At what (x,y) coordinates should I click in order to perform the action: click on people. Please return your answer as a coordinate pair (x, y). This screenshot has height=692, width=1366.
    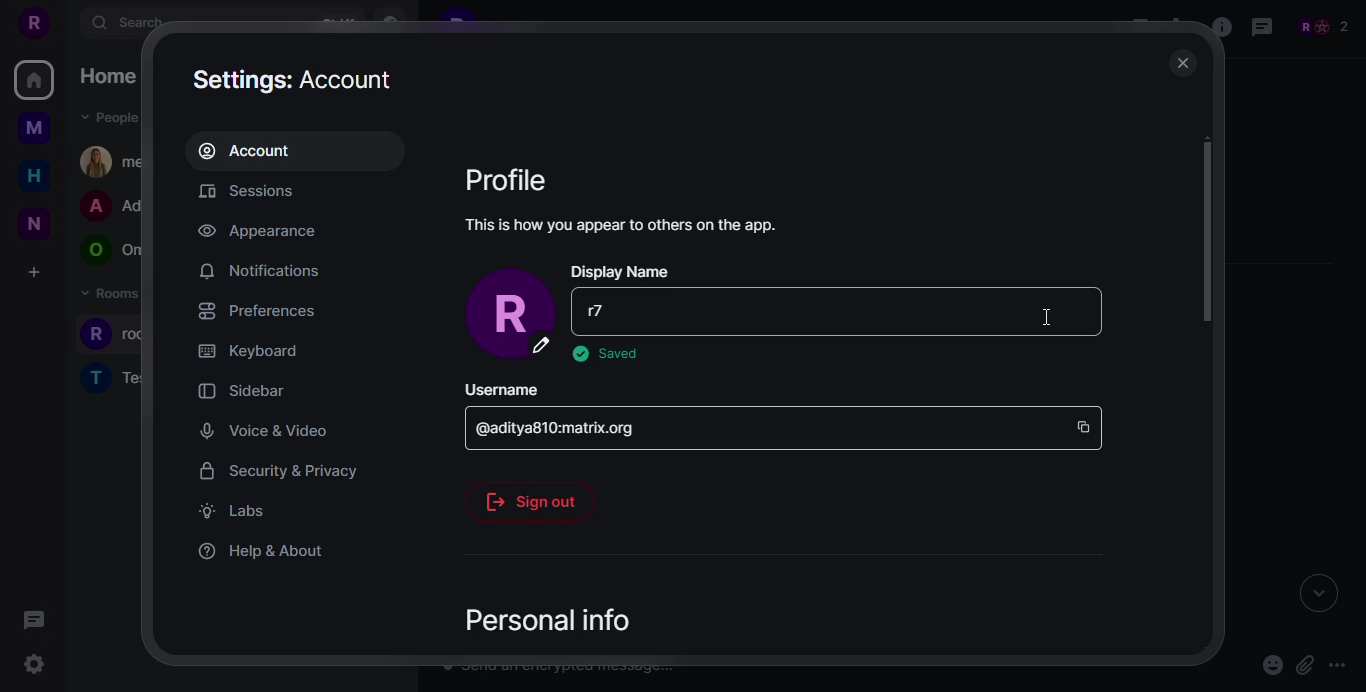
    Looking at the image, I should click on (1330, 26).